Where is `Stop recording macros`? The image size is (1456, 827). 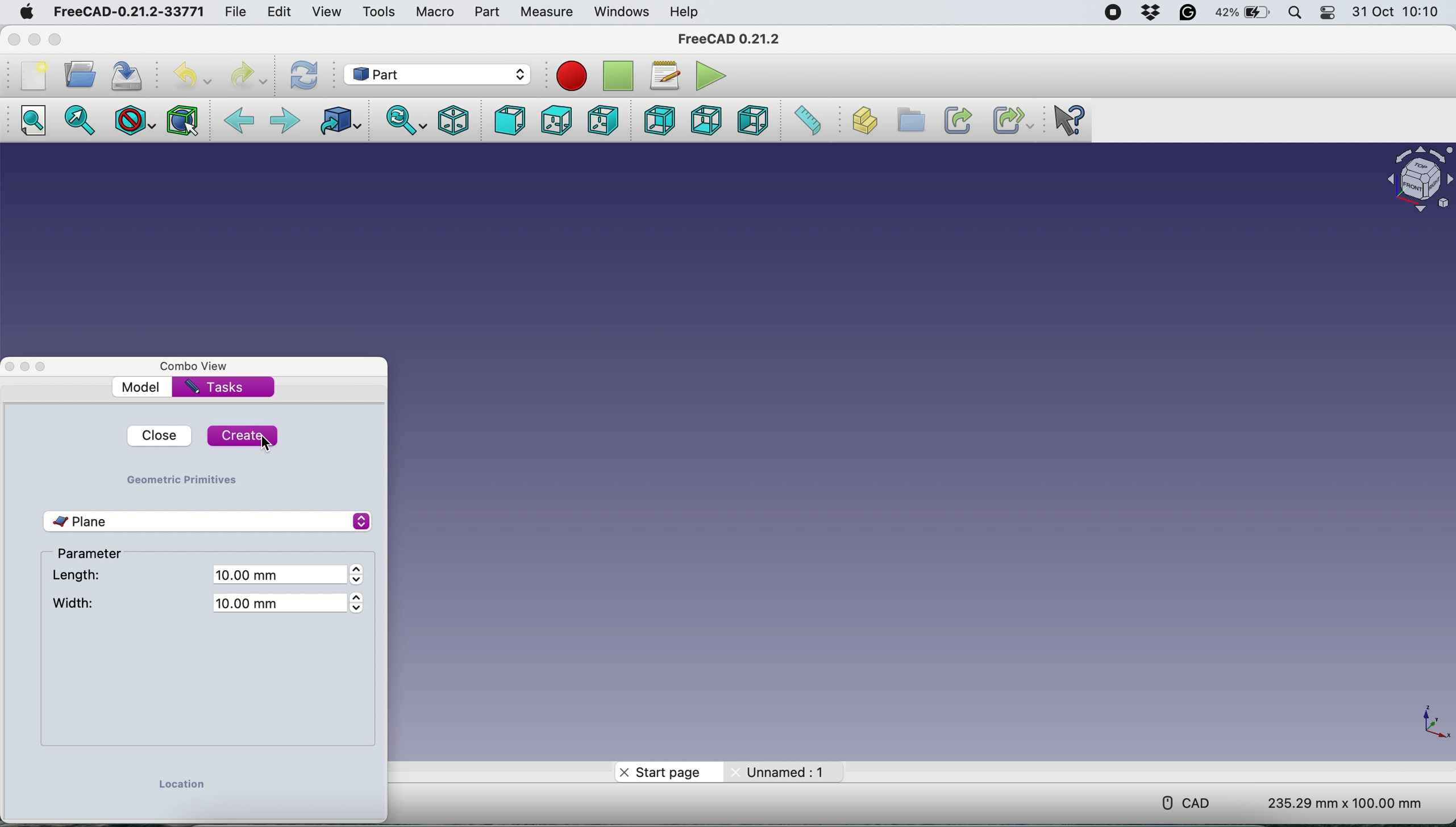
Stop recording macros is located at coordinates (620, 77).